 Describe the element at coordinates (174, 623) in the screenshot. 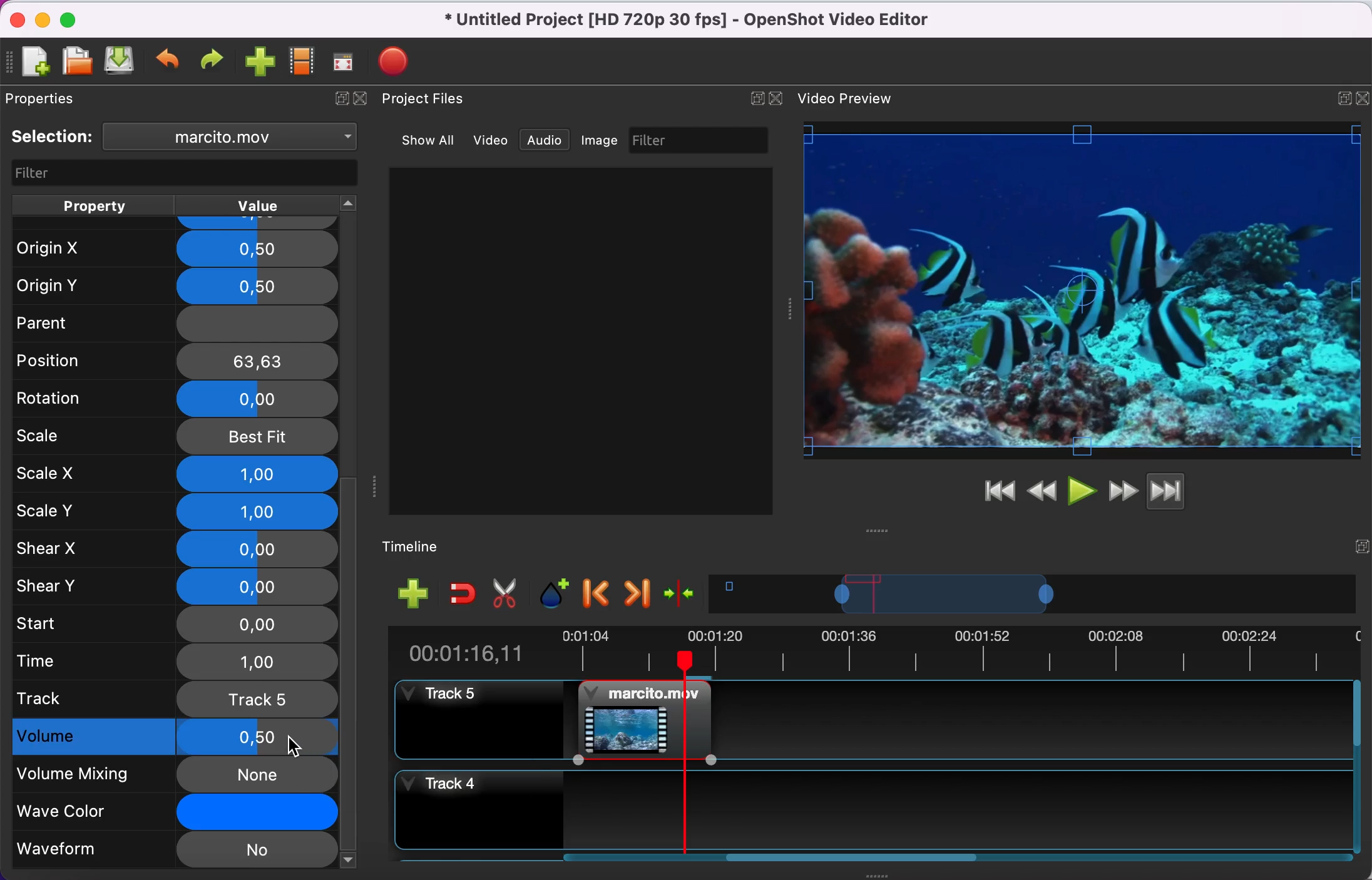

I see `start 0` at that location.